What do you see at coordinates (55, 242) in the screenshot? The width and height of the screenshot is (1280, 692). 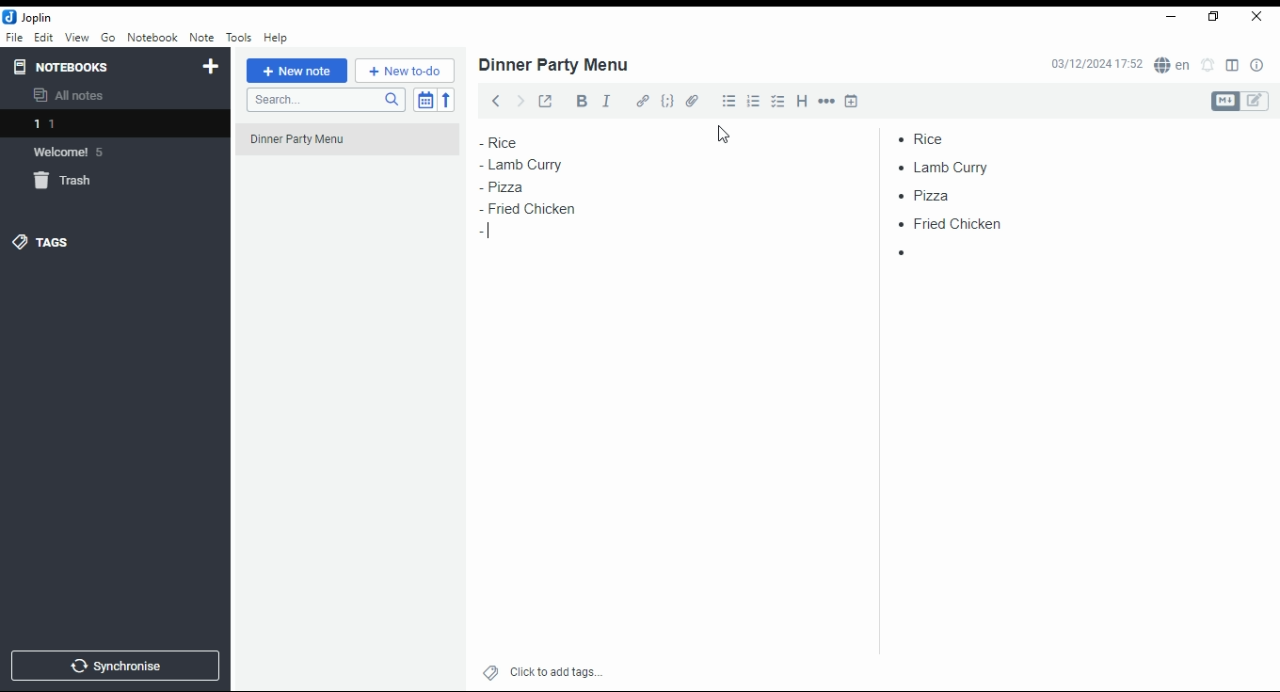 I see `tags` at bounding box center [55, 242].